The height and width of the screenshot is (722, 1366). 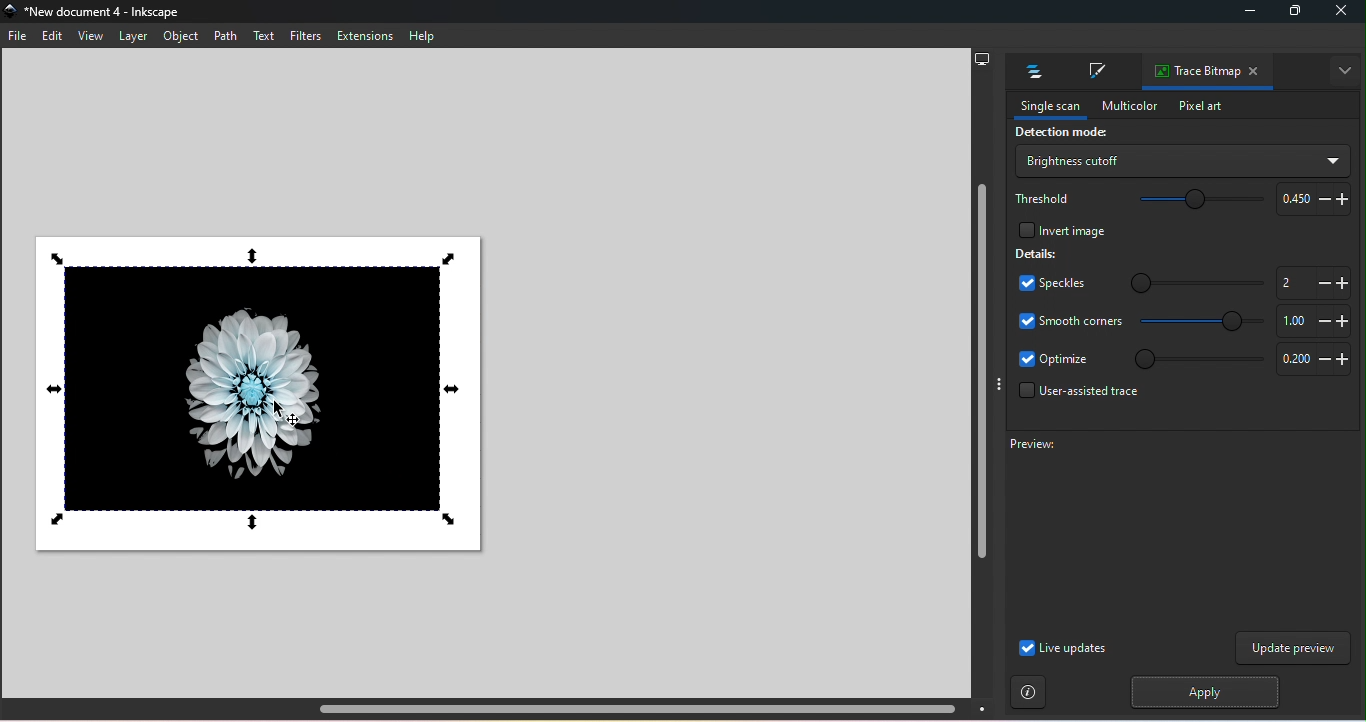 I want to click on Threshold, so click(x=1044, y=197).